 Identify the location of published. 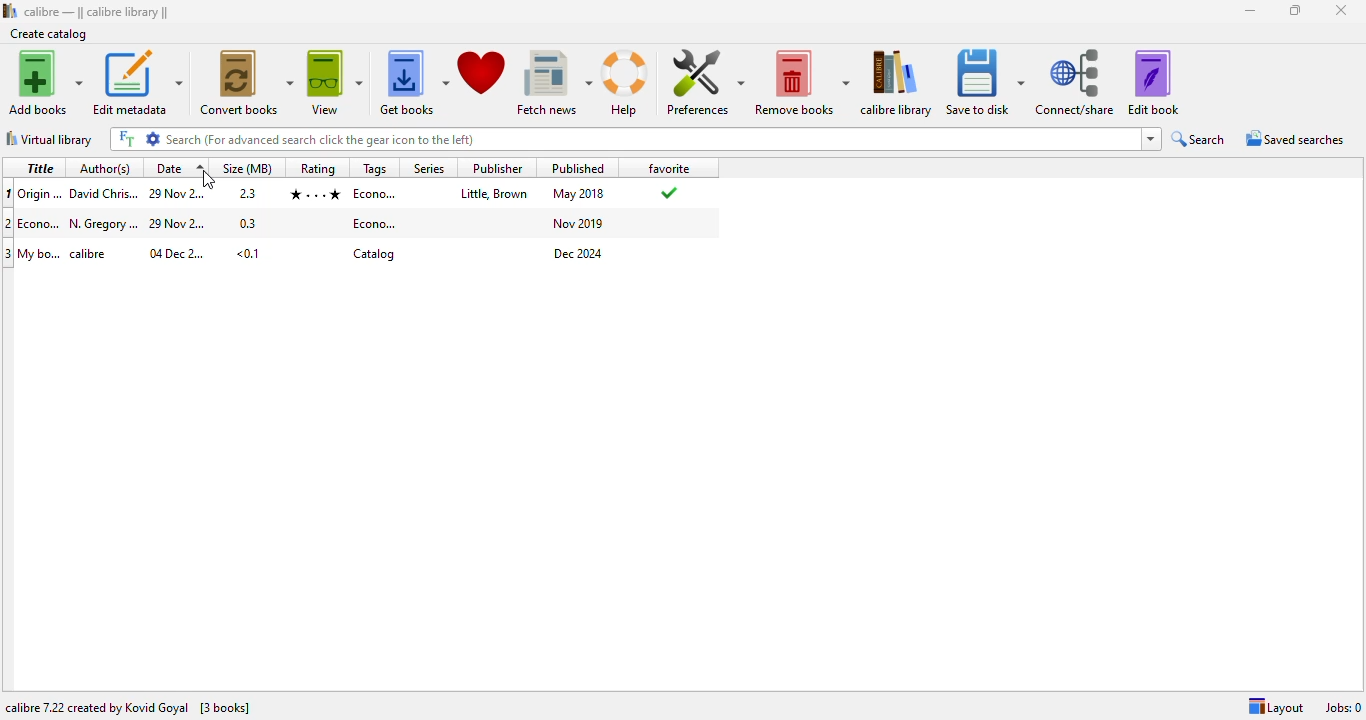
(581, 168).